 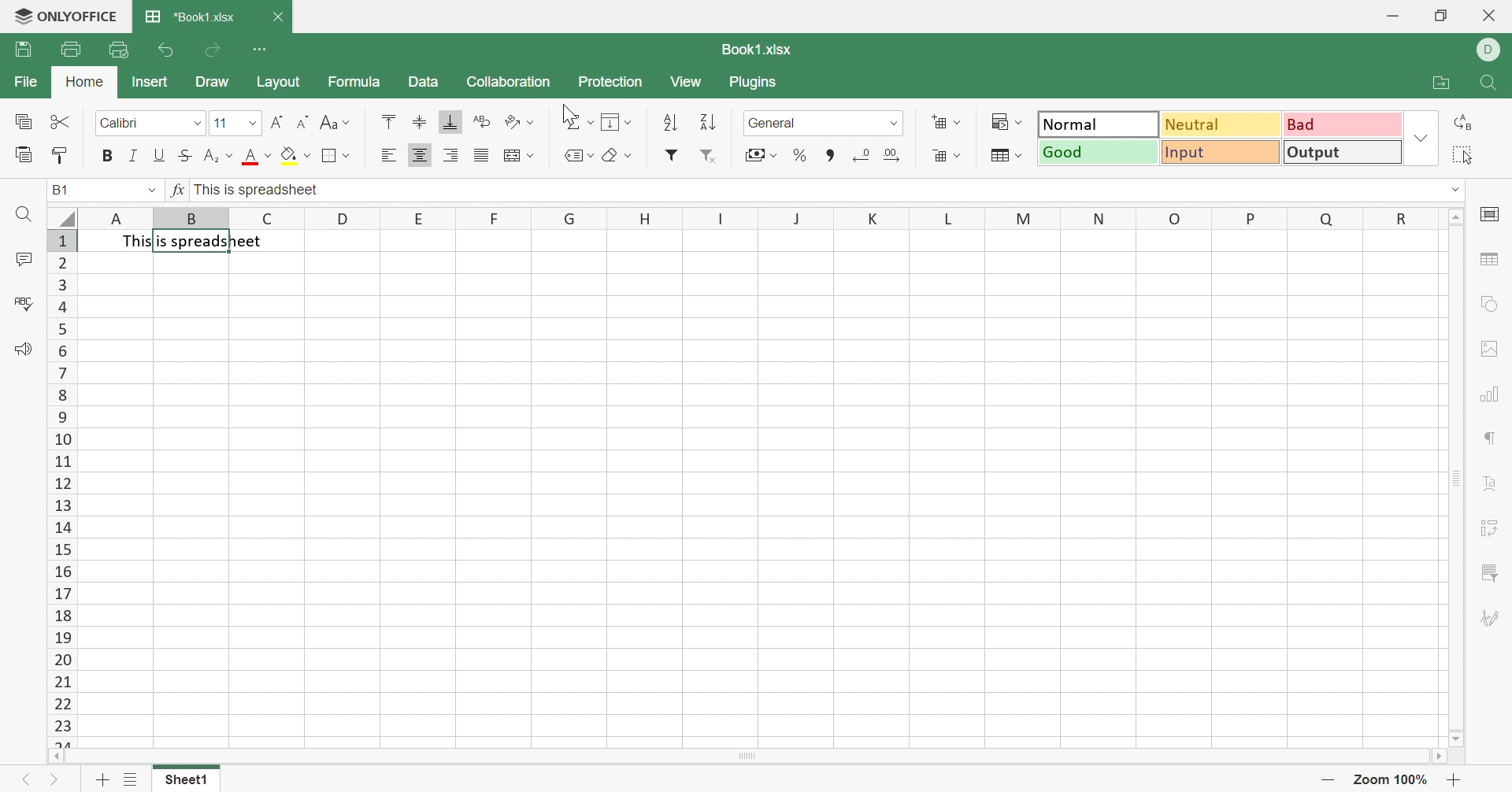 What do you see at coordinates (185, 779) in the screenshot?
I see `Sheet1` at bounding box center [185, 779].